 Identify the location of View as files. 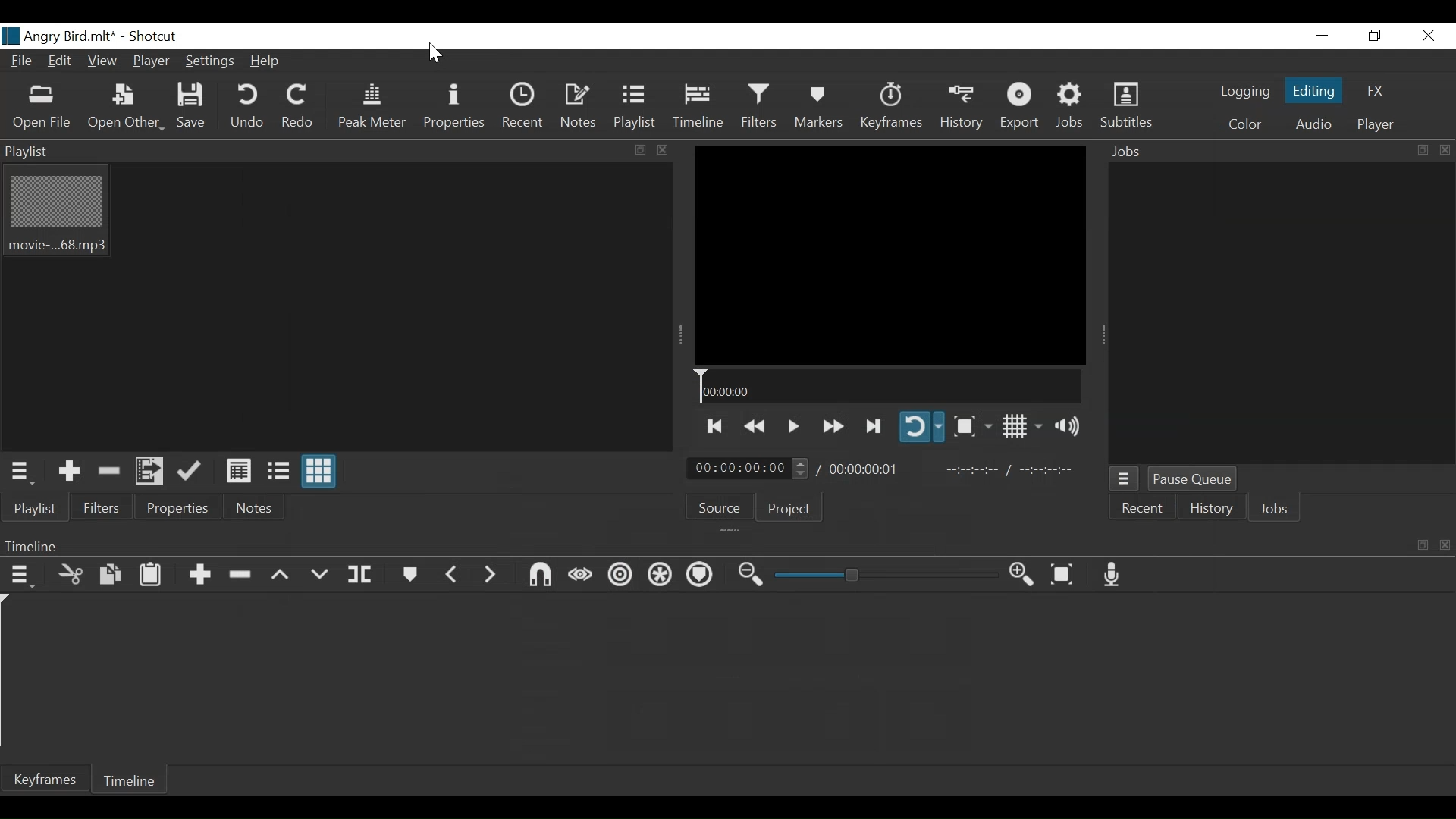
(277, 472).